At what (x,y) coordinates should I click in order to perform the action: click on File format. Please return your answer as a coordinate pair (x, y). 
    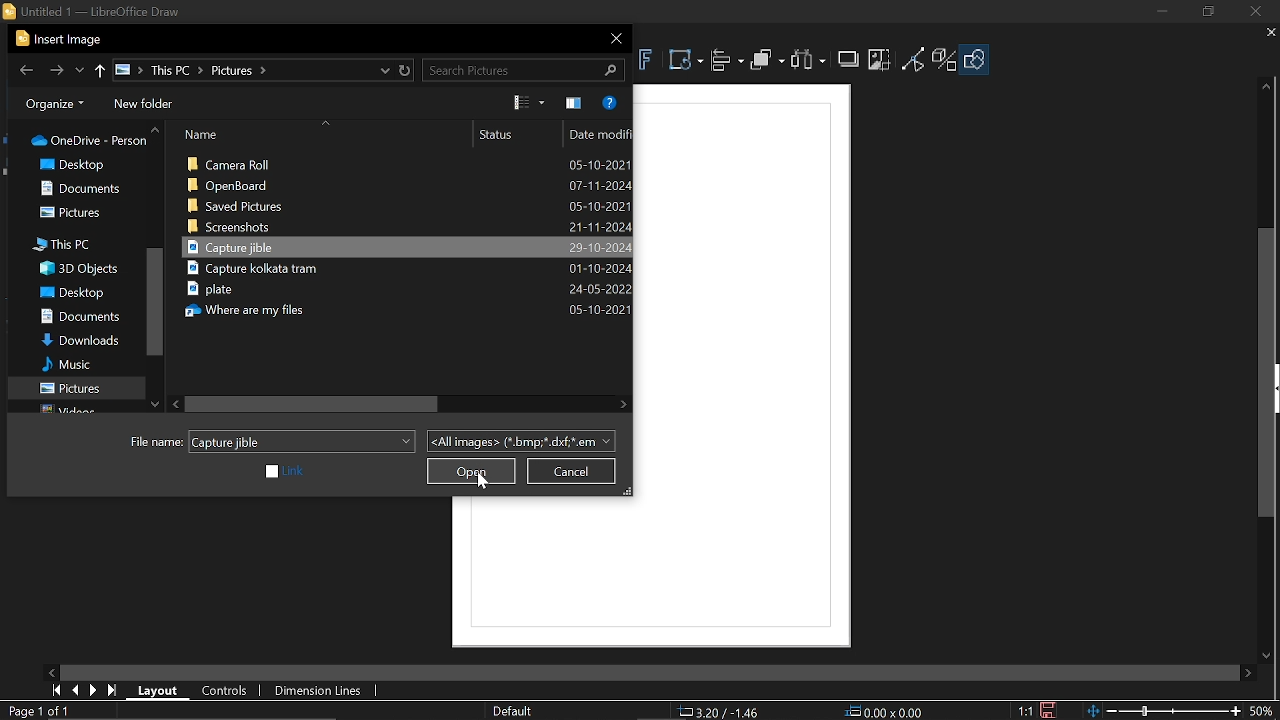
    Looking at the image, I should click on (522, 440).